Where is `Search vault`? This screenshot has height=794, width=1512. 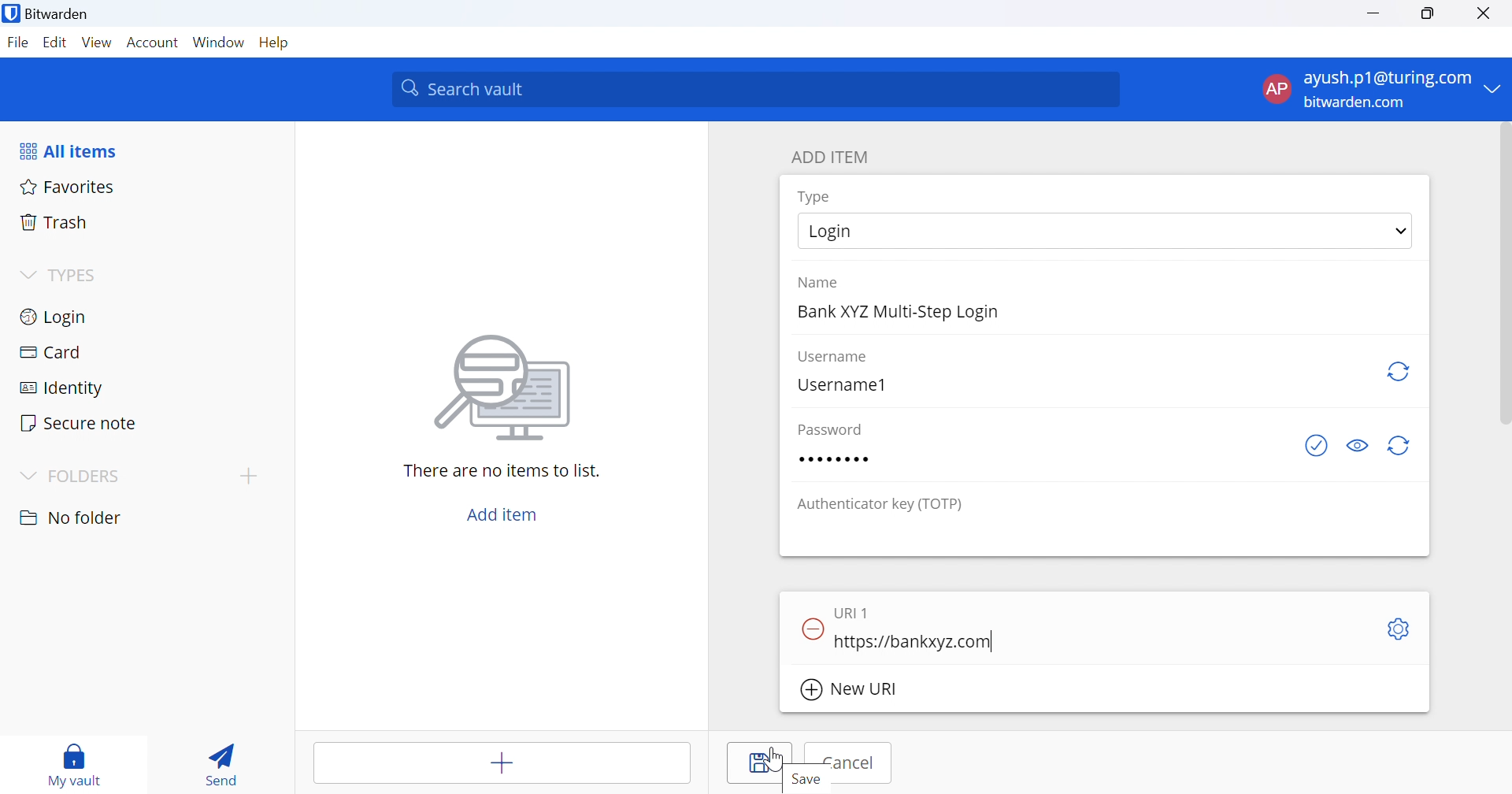 Search vault is located at coordinates (758, 89).